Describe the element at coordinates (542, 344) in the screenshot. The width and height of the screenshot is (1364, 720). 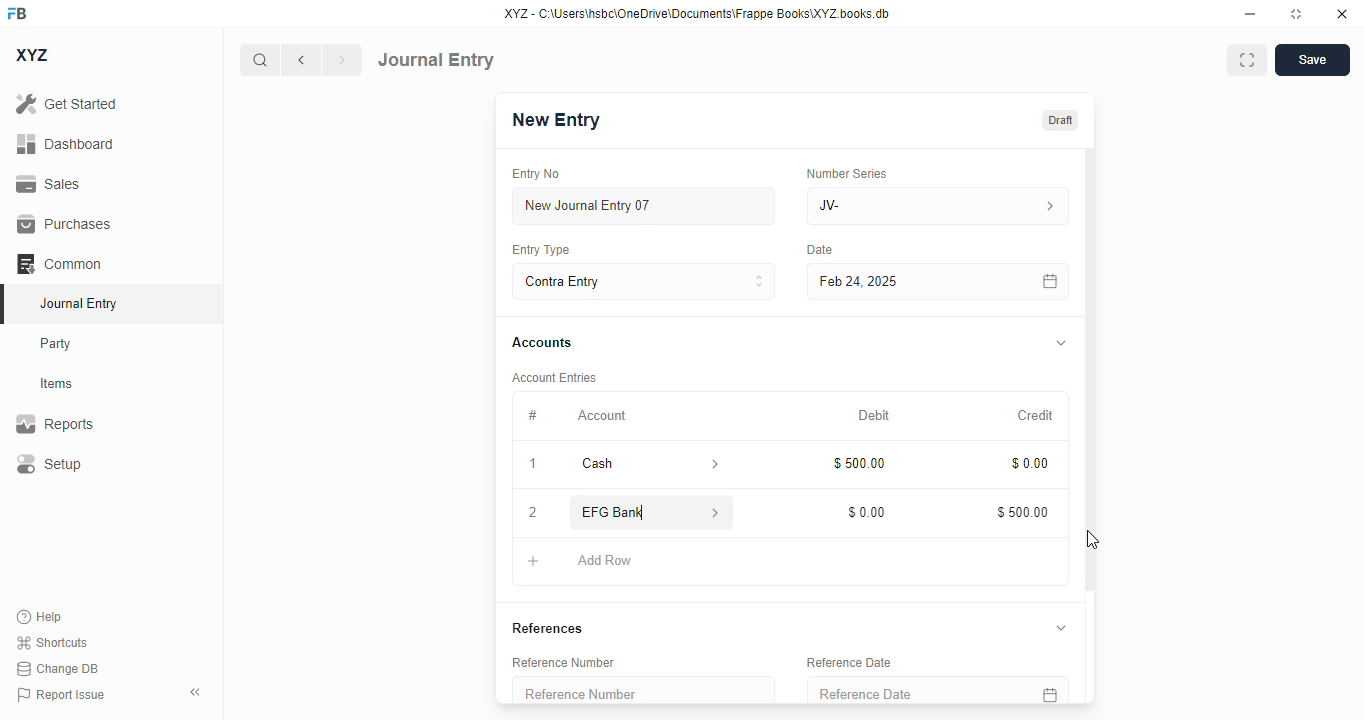
I see `accounts` at that location.